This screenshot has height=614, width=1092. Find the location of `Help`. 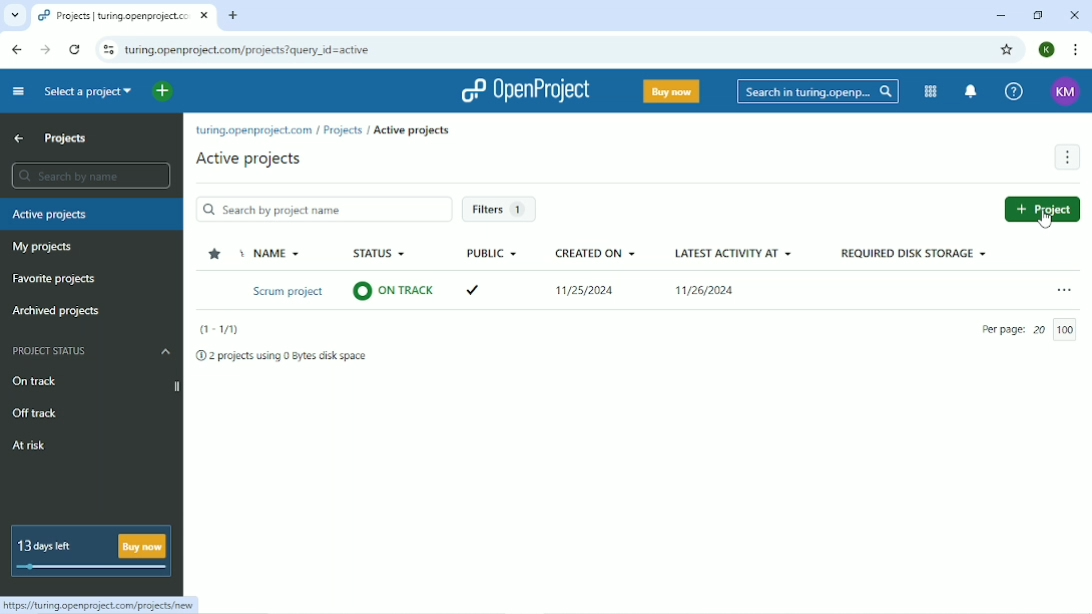

Help is located at coordinates (1014, 90).